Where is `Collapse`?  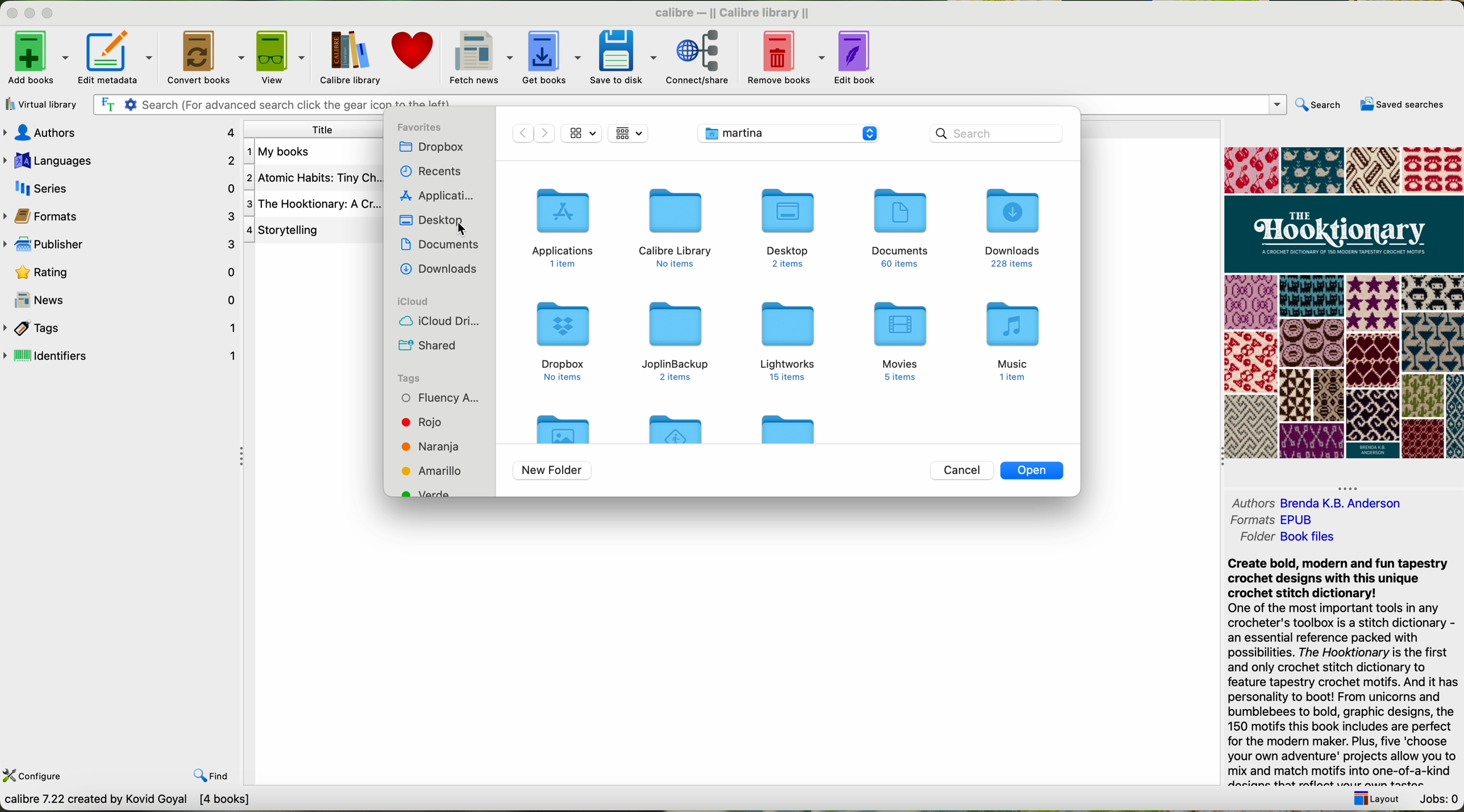 Collapse is located at coordinates (241, 460).